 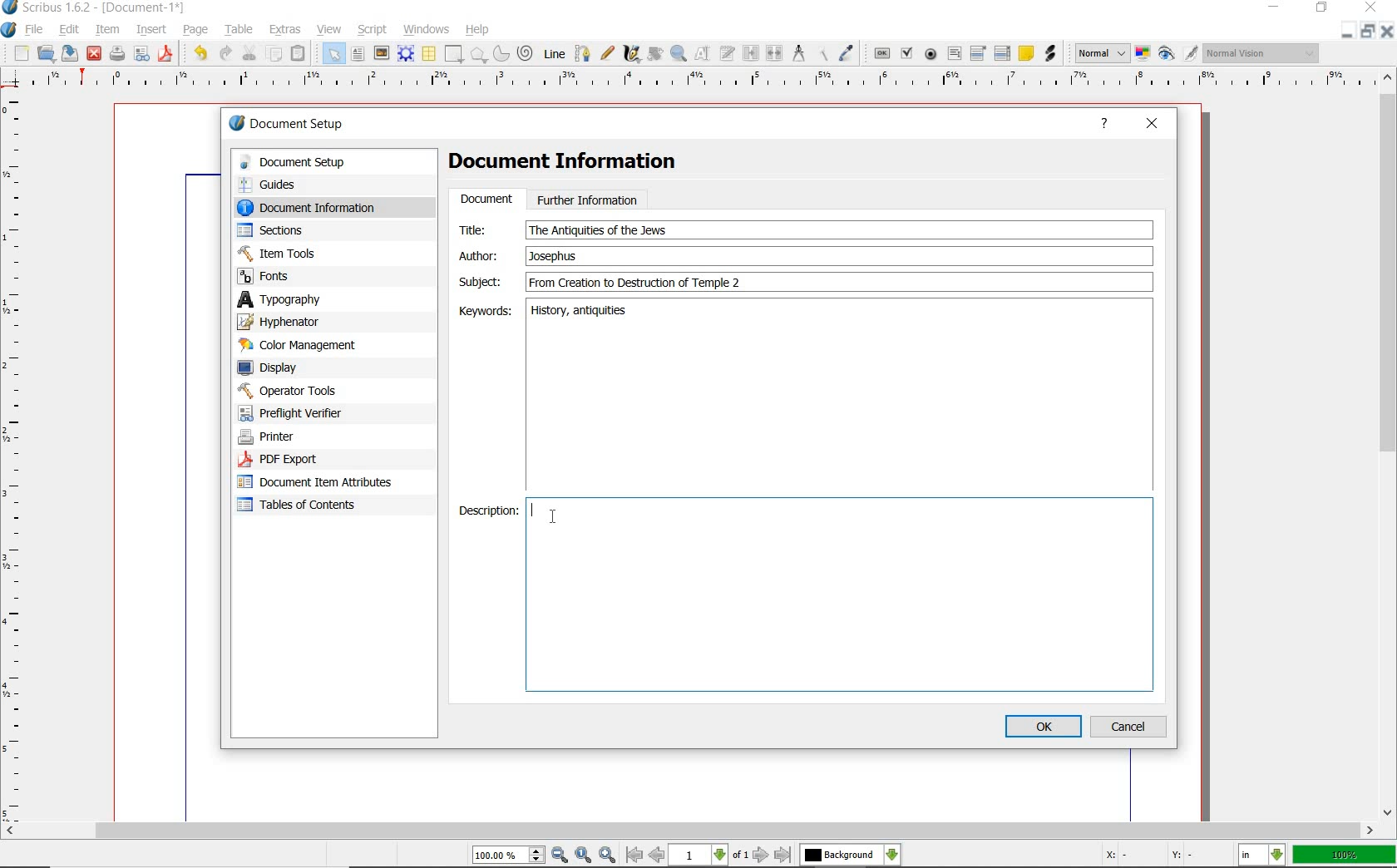 What do you see at coordinates (1262, 52) in the screenshot?
I see `visual appearance of the display` at bounding box center [1262, 52].